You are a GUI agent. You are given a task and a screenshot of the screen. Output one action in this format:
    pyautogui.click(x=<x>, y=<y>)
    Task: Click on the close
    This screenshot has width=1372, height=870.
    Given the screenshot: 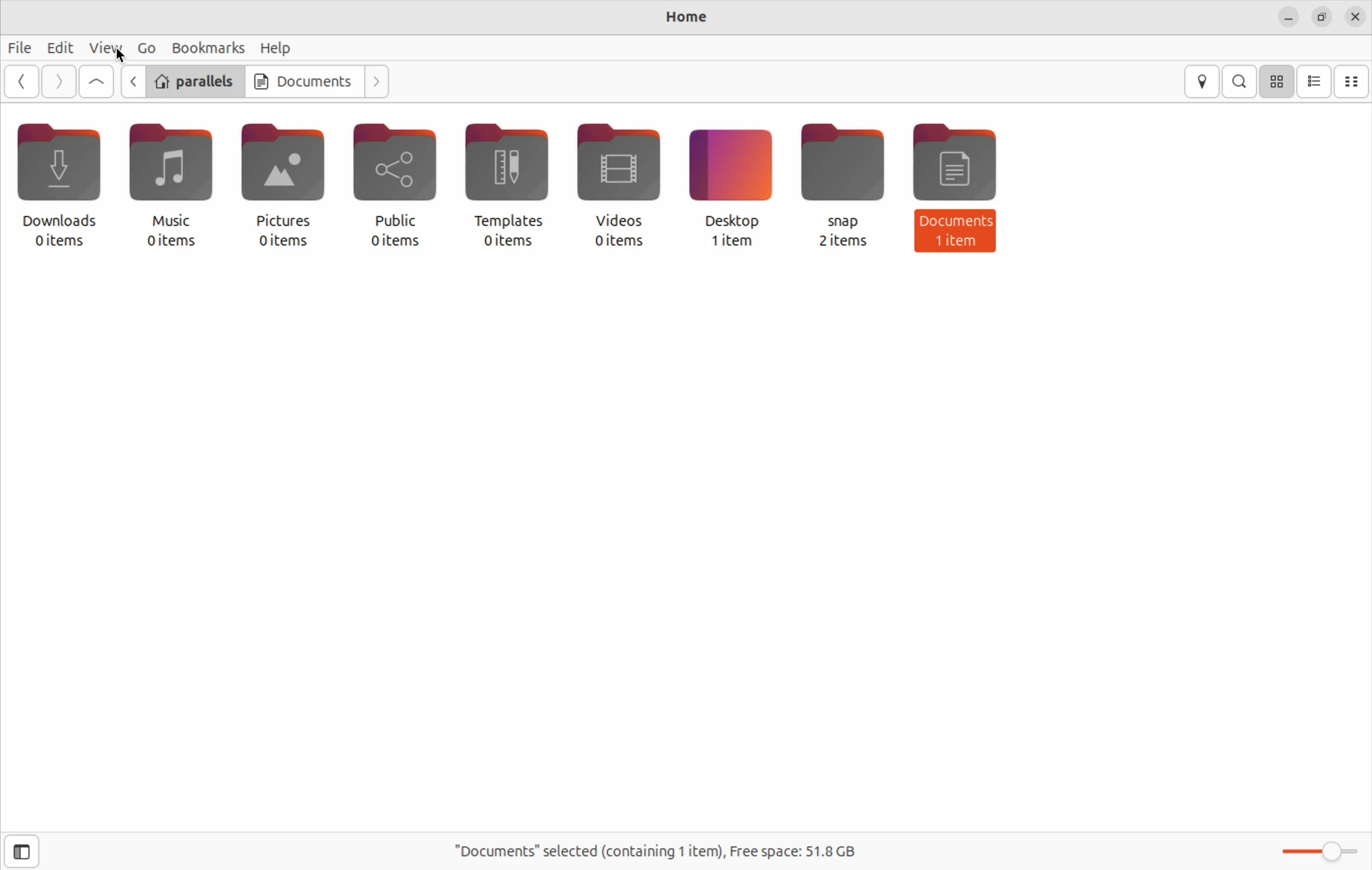 What is the action you would take?
    pyautogui.click(x=1357, y=15)
    